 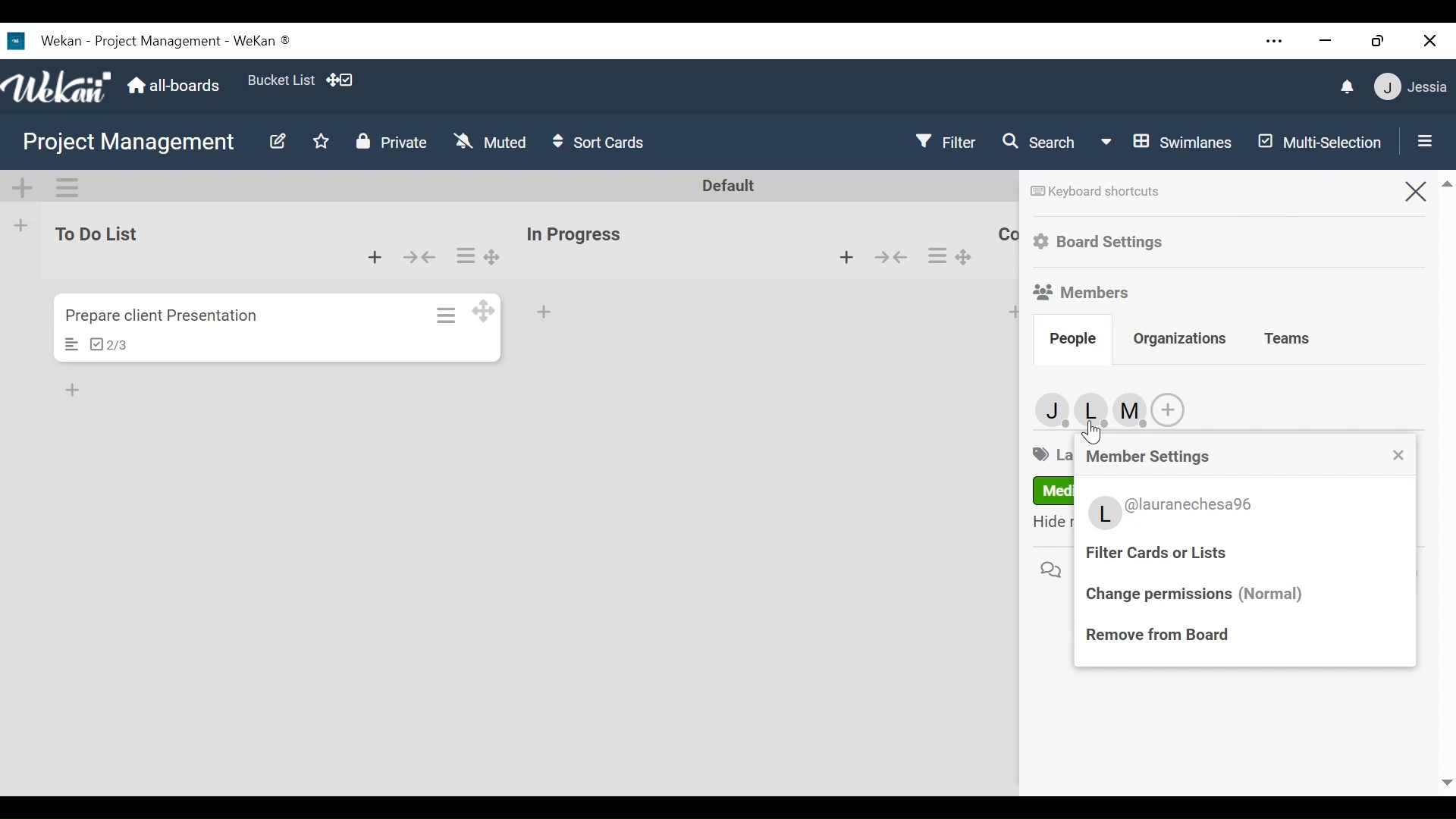 What do you see at coordinates (1287, 340) in the screenshot?
I see `Teams` at bounding box center [1287, 340].